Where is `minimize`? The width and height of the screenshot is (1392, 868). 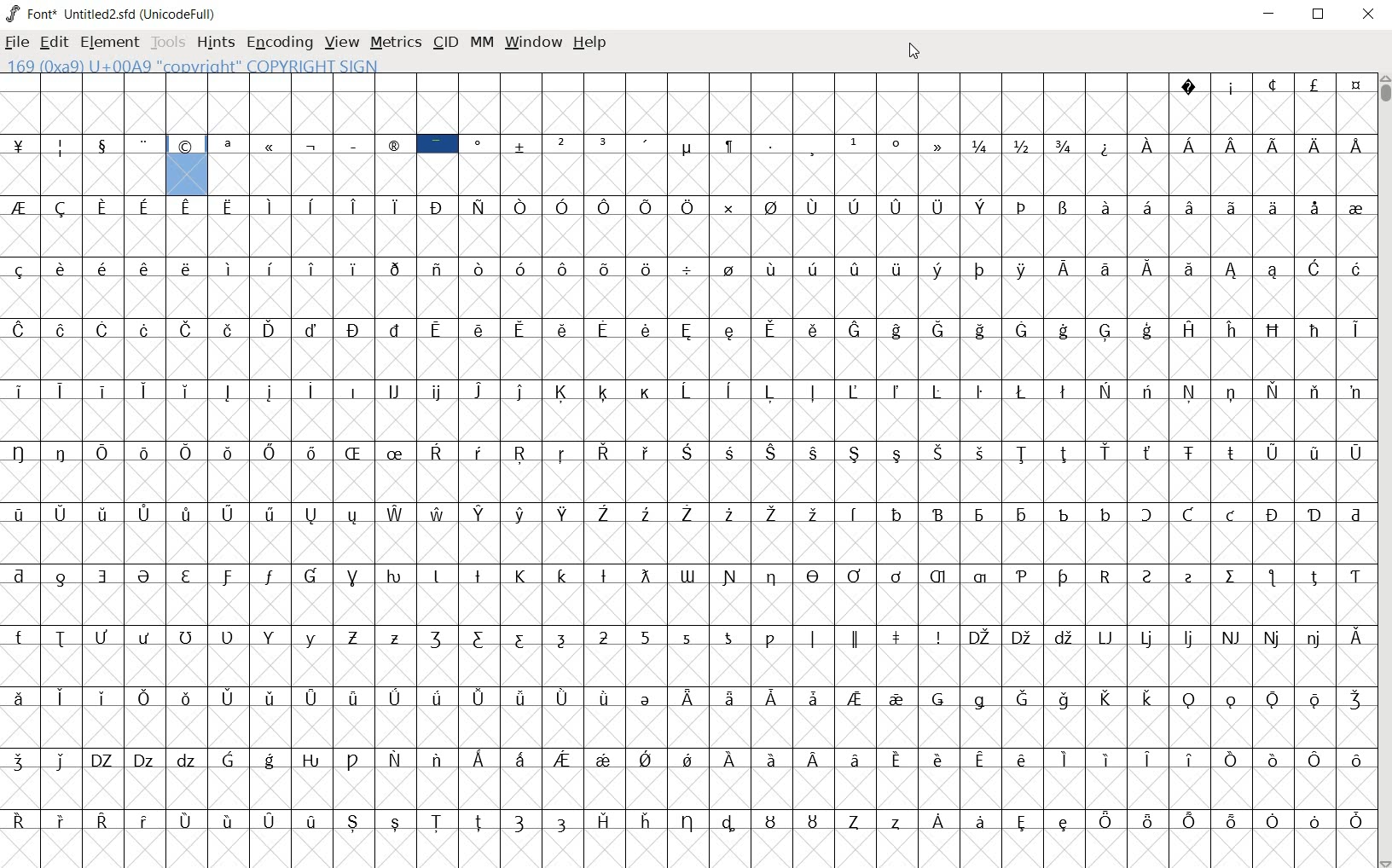
minimize is located at coordinates (1269, 14).